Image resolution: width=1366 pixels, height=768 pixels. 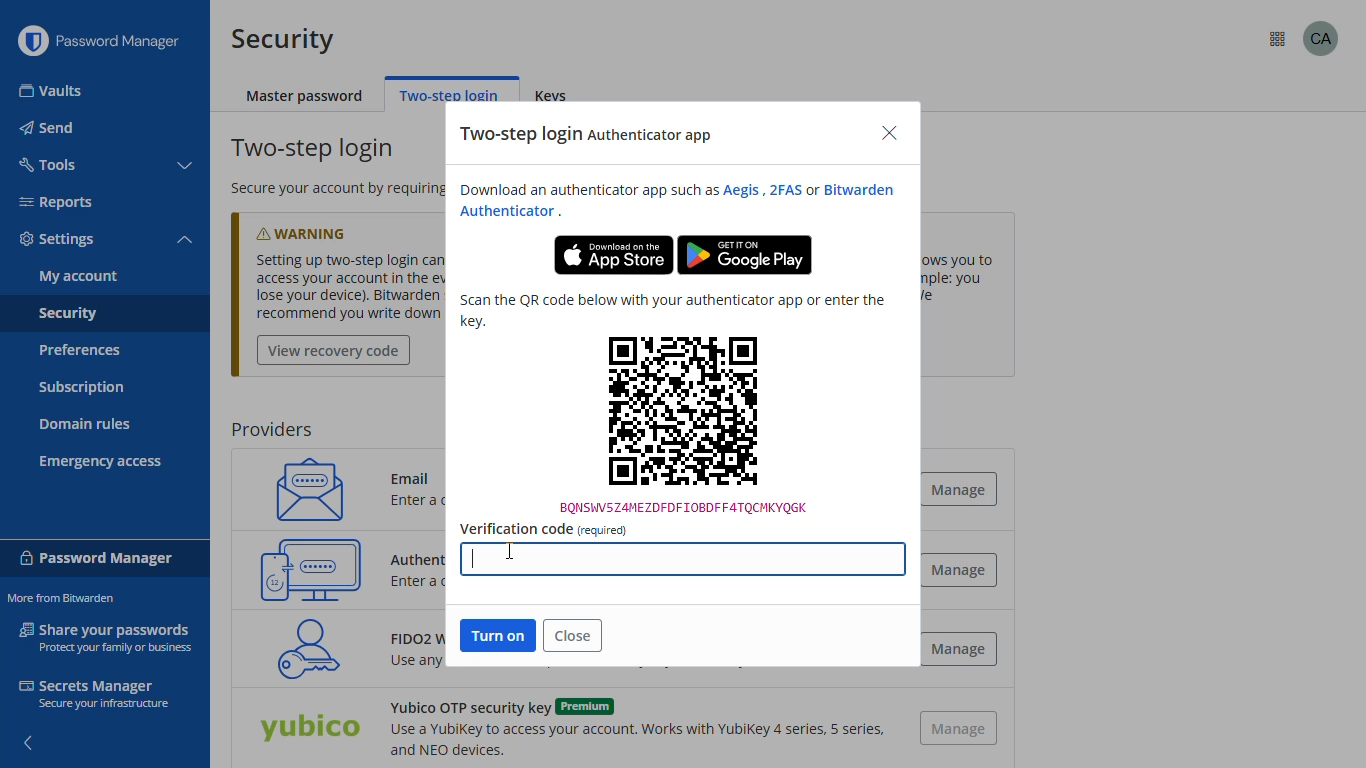 I want to click on Yubico OTP security key (Premium)Use a YubiKey to access your account. Works with Yubikey 4 series, 5 series,and NEO devices., so click(x=634, y=728).